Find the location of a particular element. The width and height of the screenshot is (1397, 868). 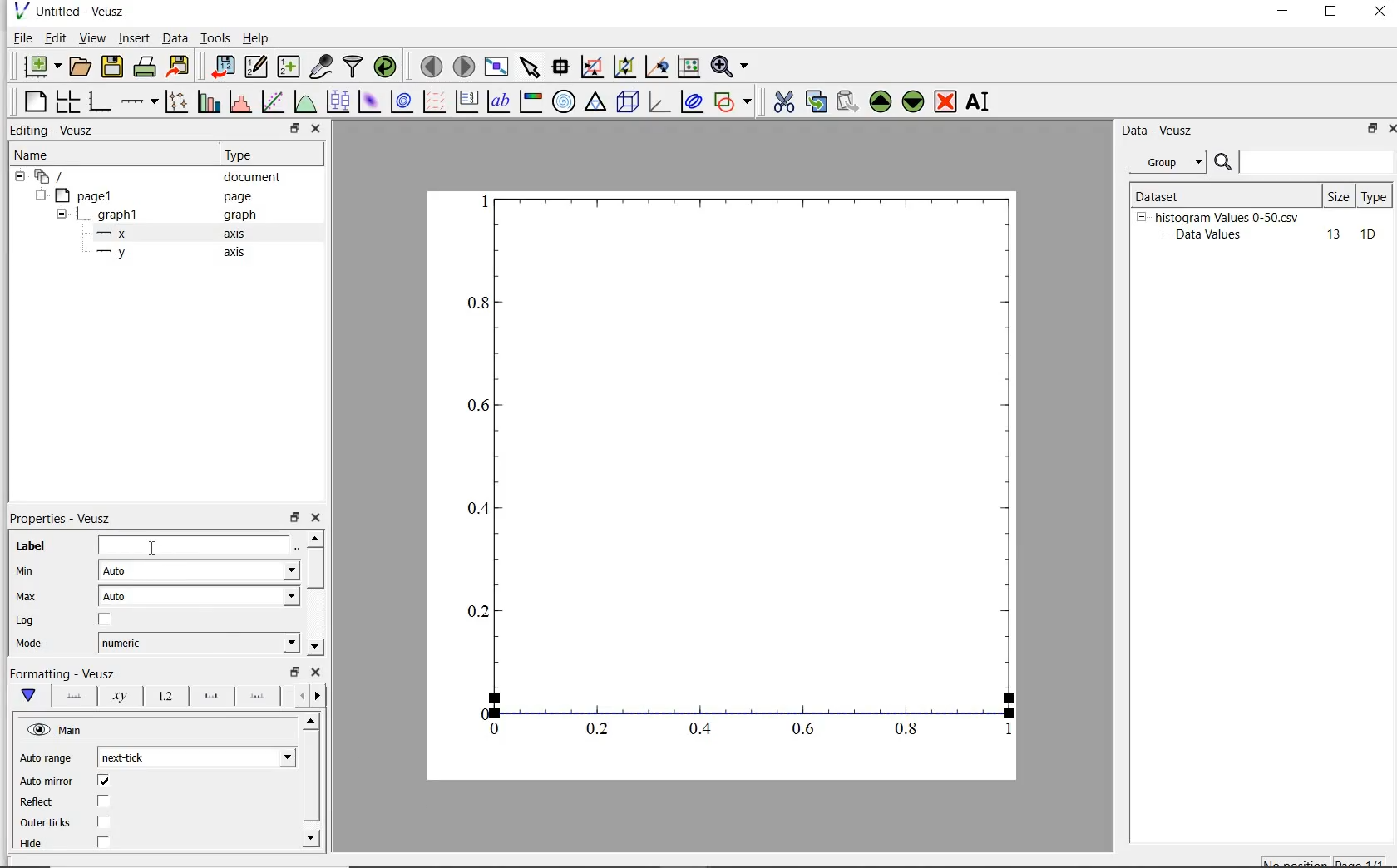

open is located at coordinates (82, 65).